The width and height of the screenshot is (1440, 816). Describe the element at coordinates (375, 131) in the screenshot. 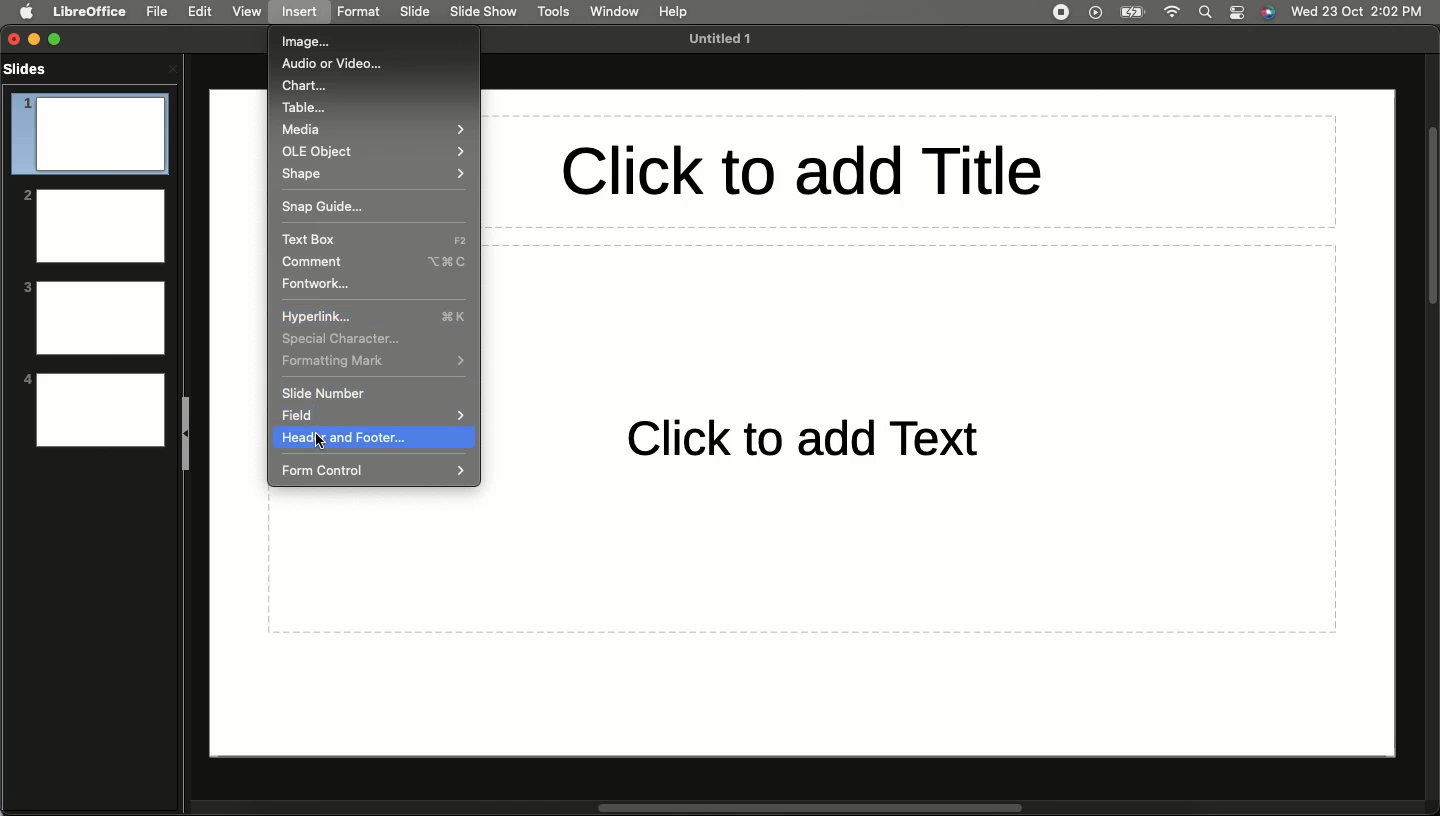

I see `Media` at that location.